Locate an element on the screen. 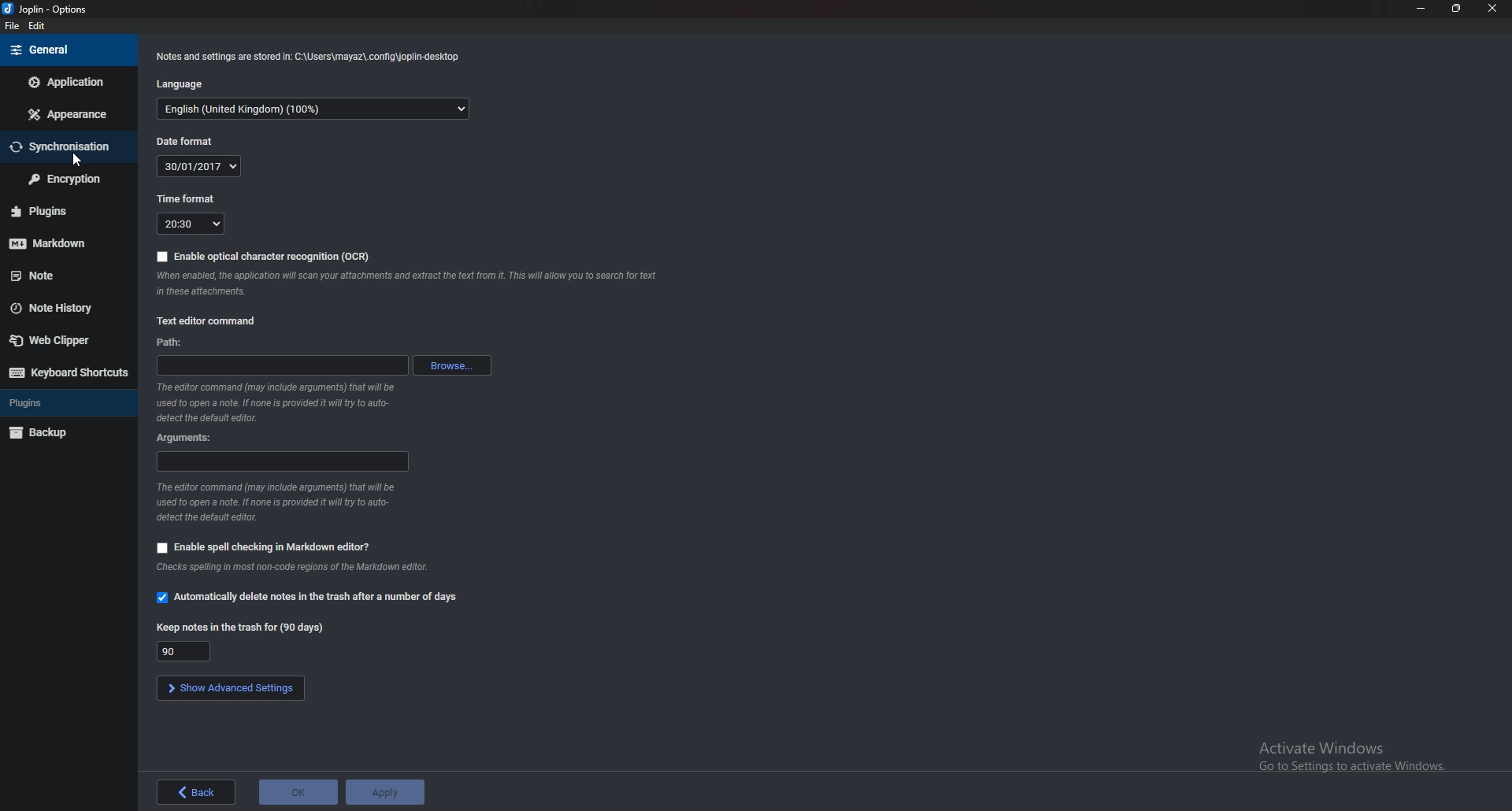 This screenshot has height=811, width=1512. info is located at coordinates (276, 402).